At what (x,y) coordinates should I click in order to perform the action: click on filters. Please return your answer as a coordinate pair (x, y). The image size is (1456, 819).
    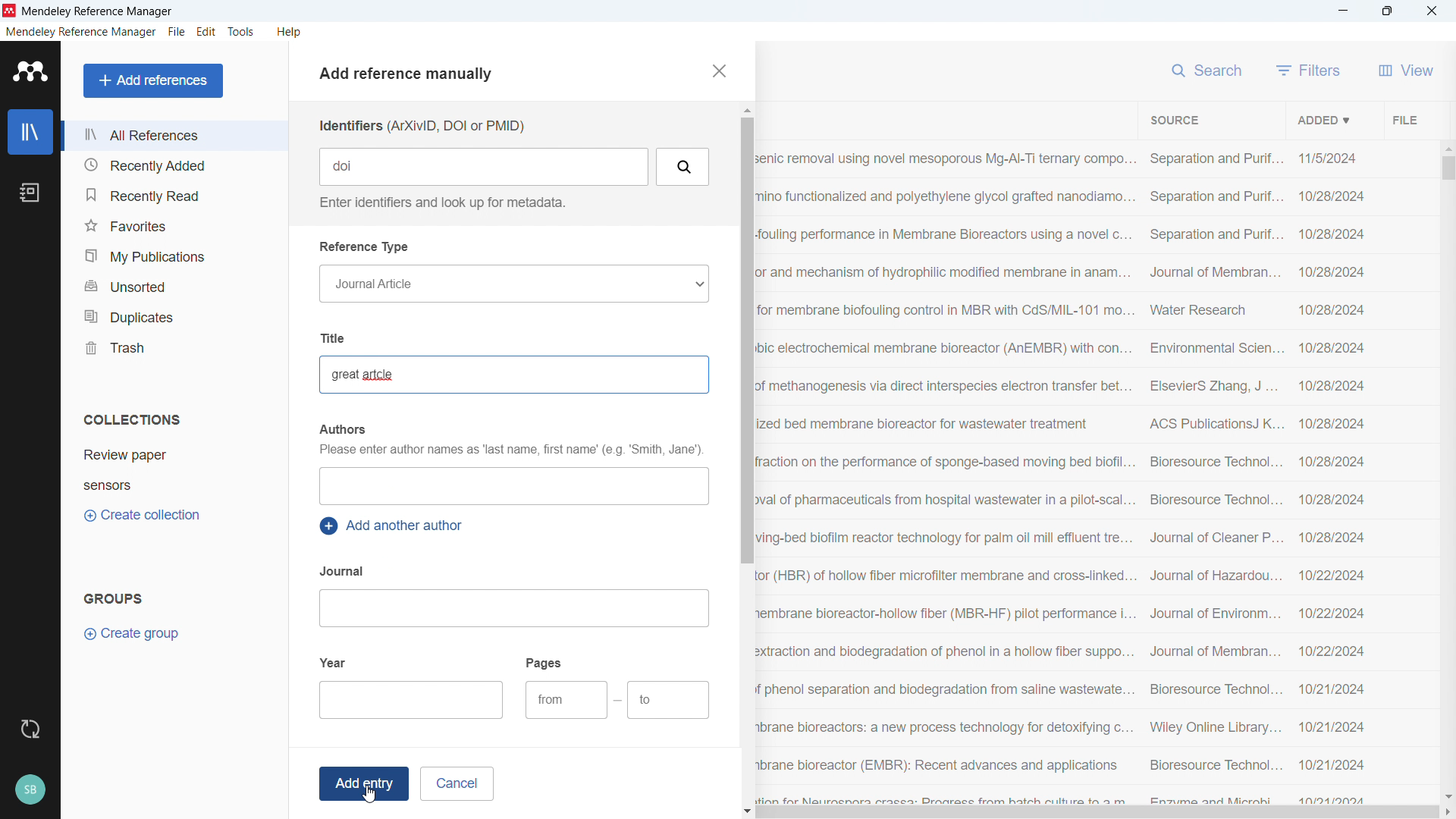
    Looking at the image, I should click on (1309, 70).